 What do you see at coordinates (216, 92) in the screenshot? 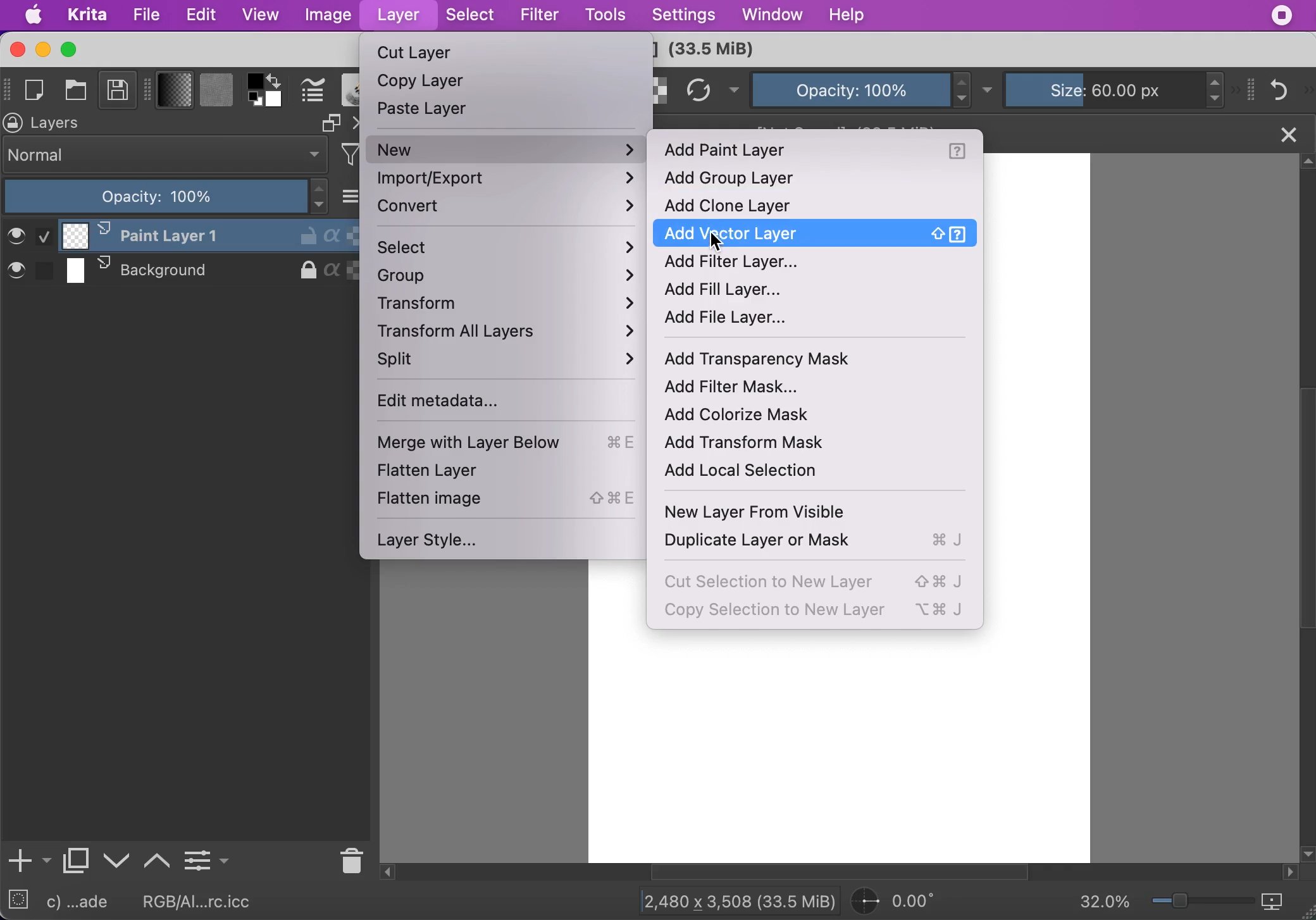
I see `fill patterns` at bounding box center [216, 92].